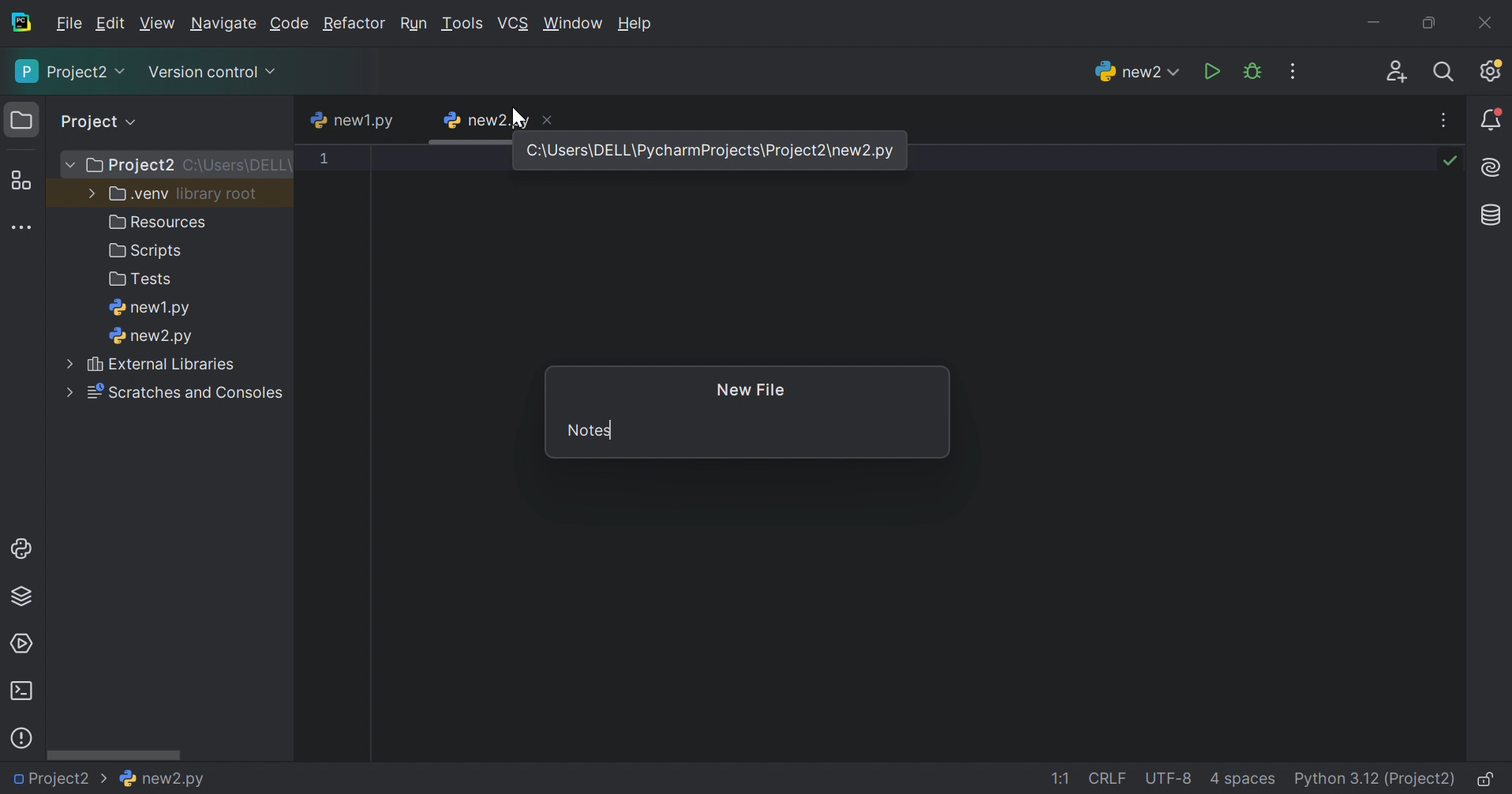 Image resolution: width=1512 pixels, height=794 pixels. I want to click on Notes, so click(590, 432).